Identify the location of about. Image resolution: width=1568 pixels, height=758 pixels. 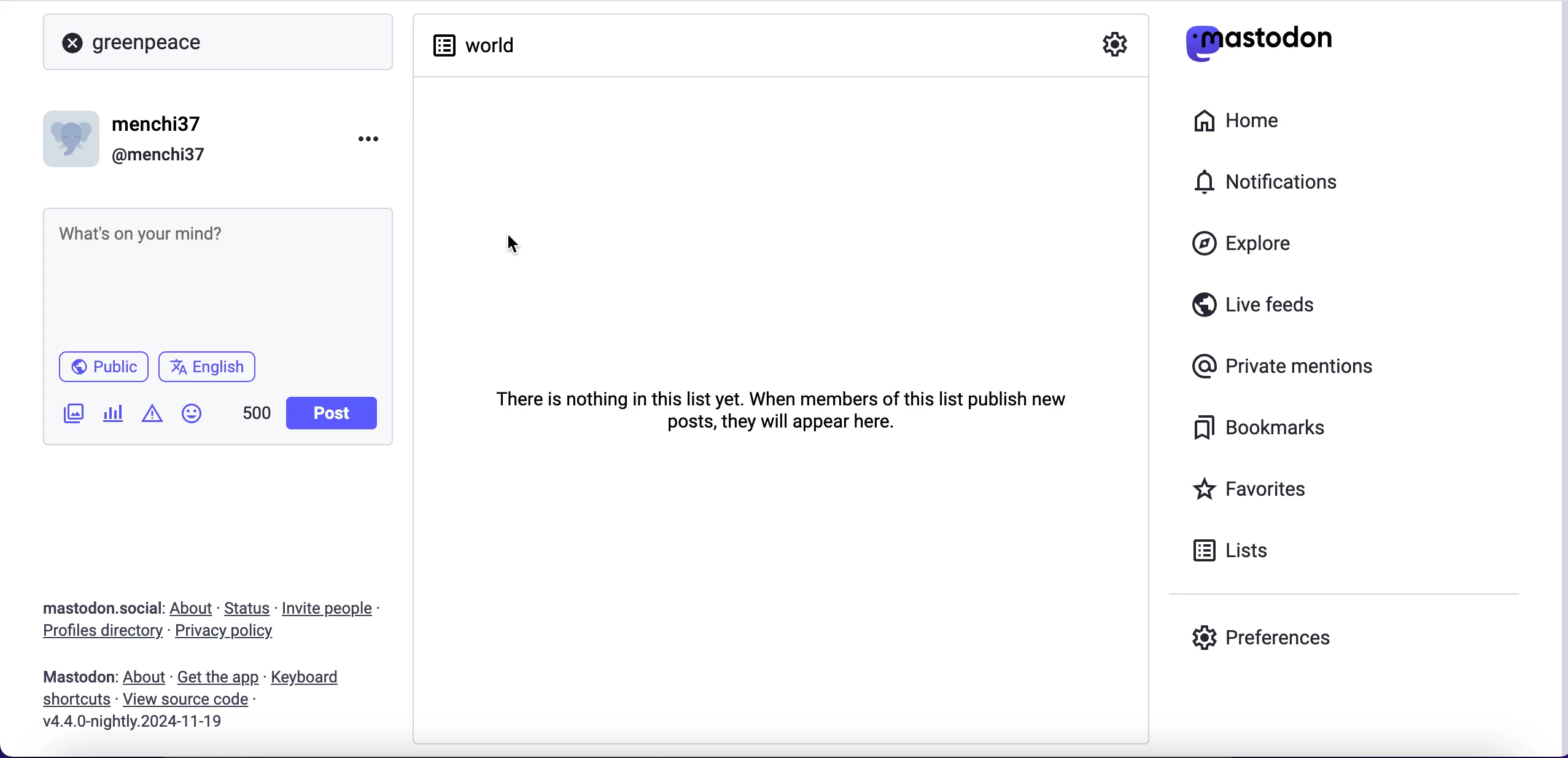
(147, 678).